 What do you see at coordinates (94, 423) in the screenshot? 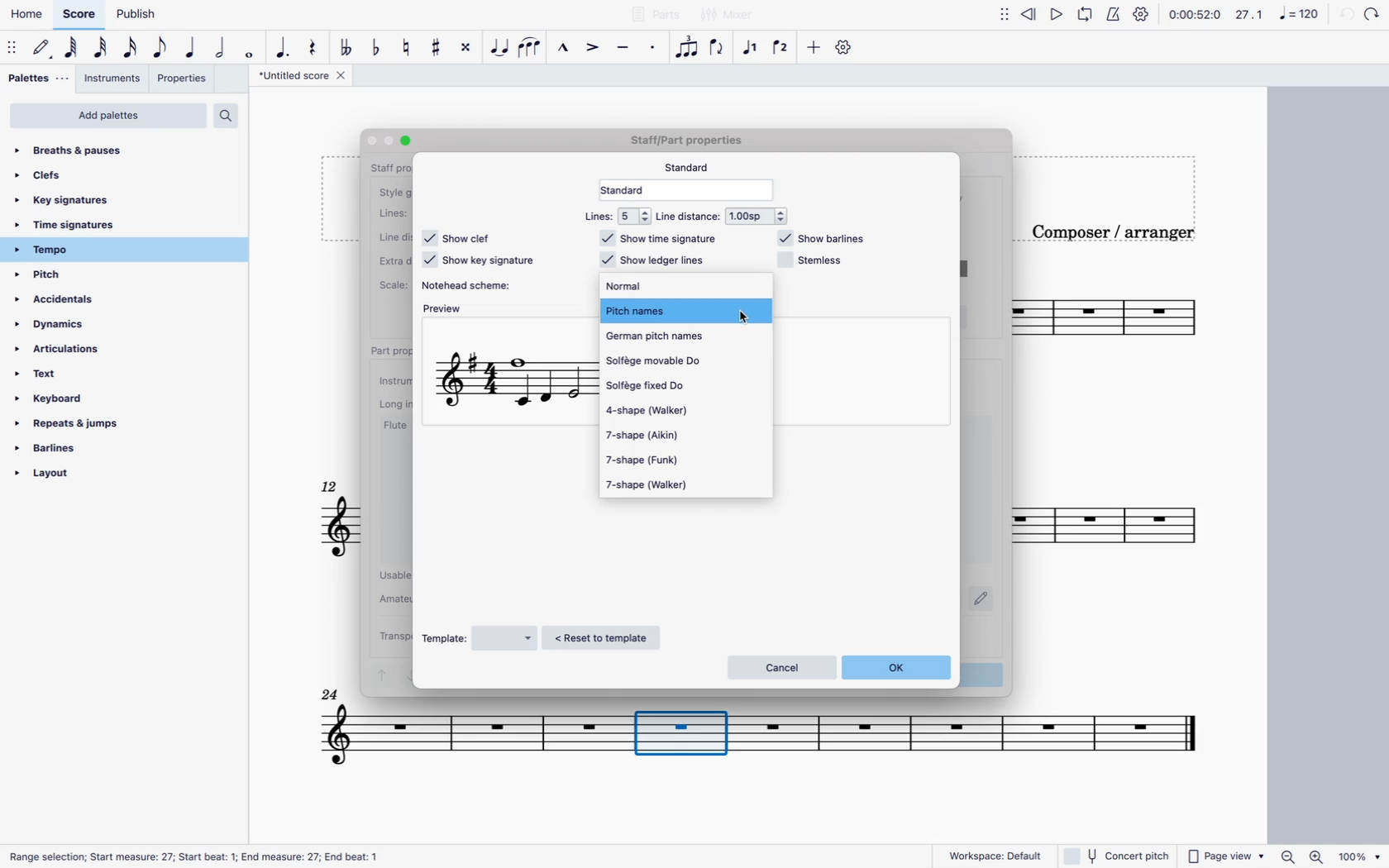
I see `repeats & jumps` at bounding box center [94, 423].